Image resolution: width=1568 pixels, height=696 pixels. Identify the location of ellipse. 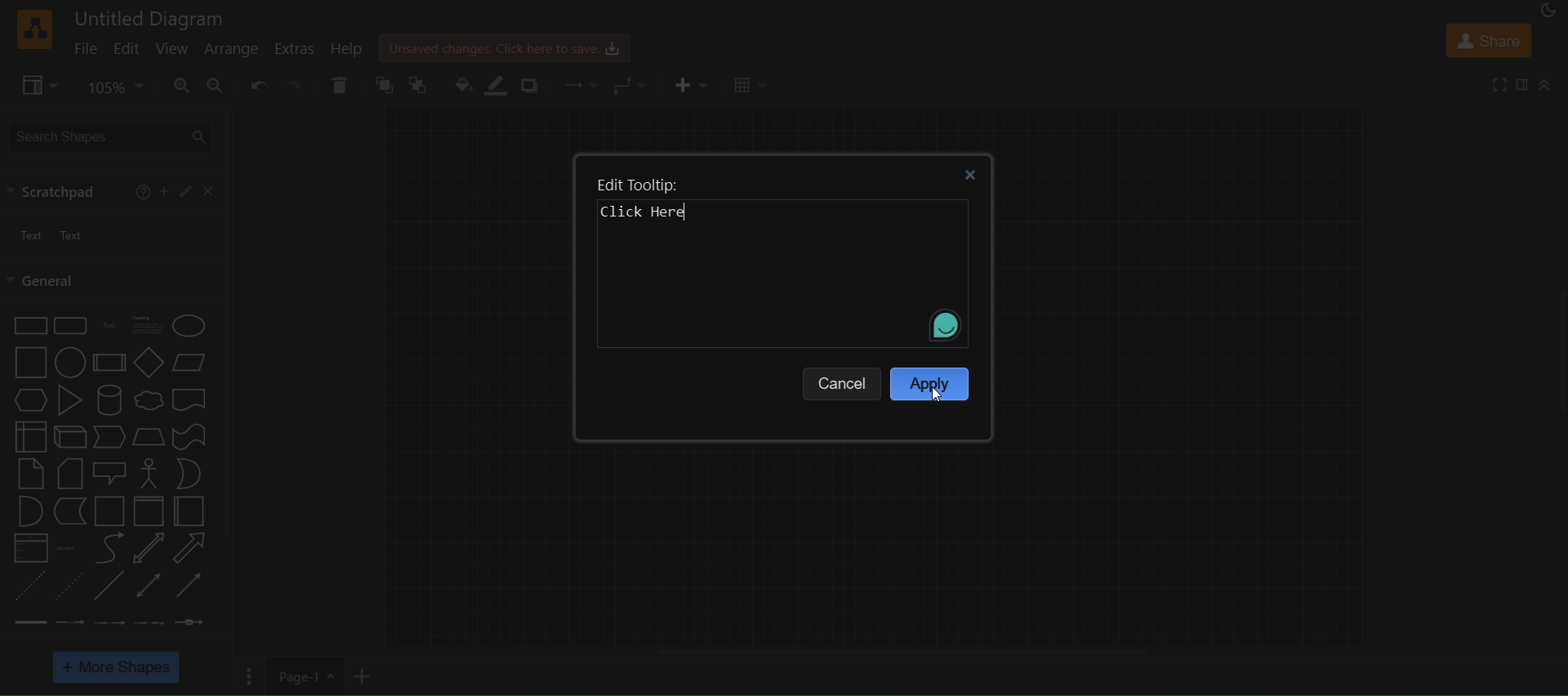
(190, 324).